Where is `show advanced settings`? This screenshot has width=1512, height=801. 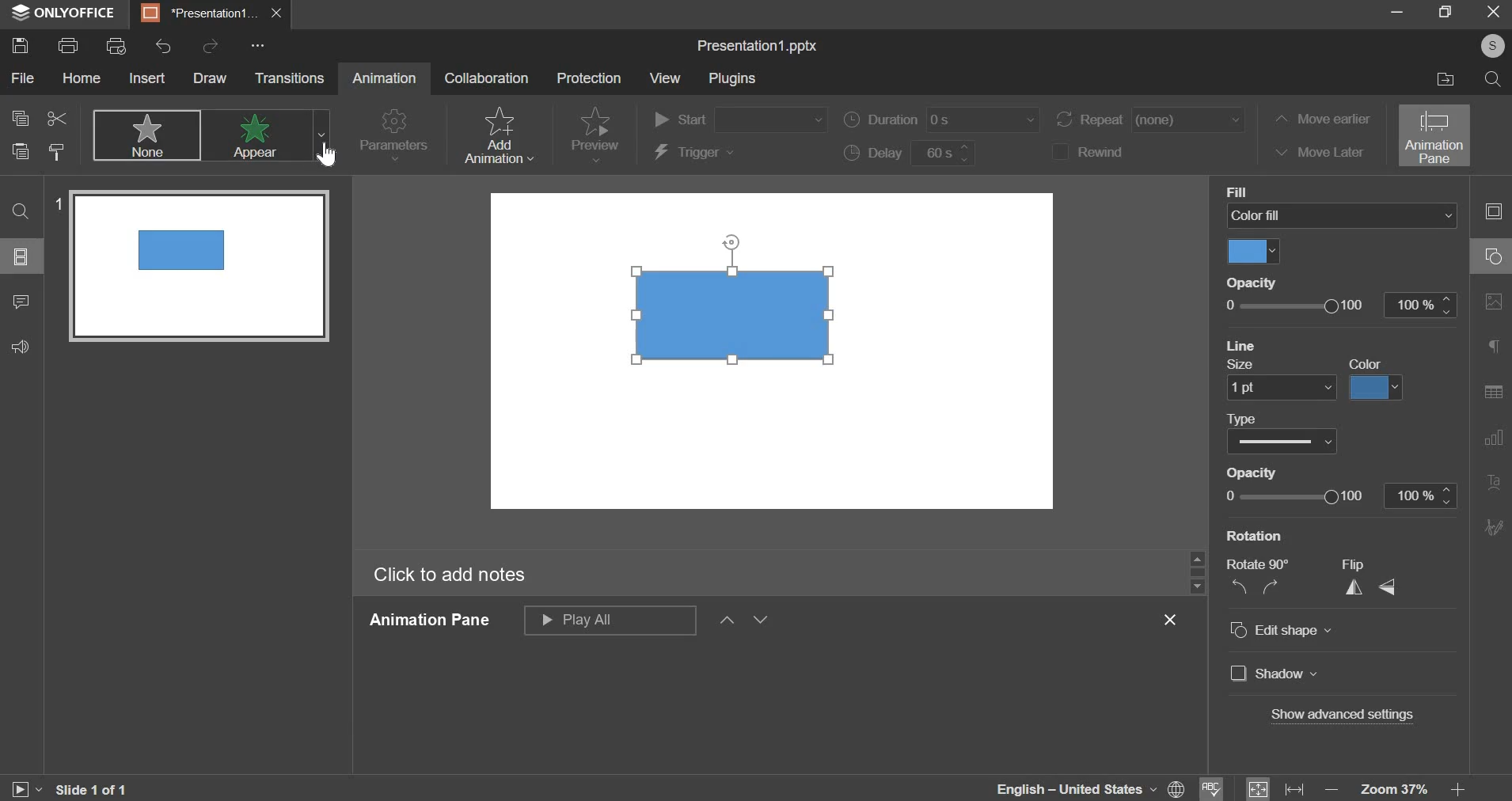
show advanced settings is located at coordinates (1342, 716).